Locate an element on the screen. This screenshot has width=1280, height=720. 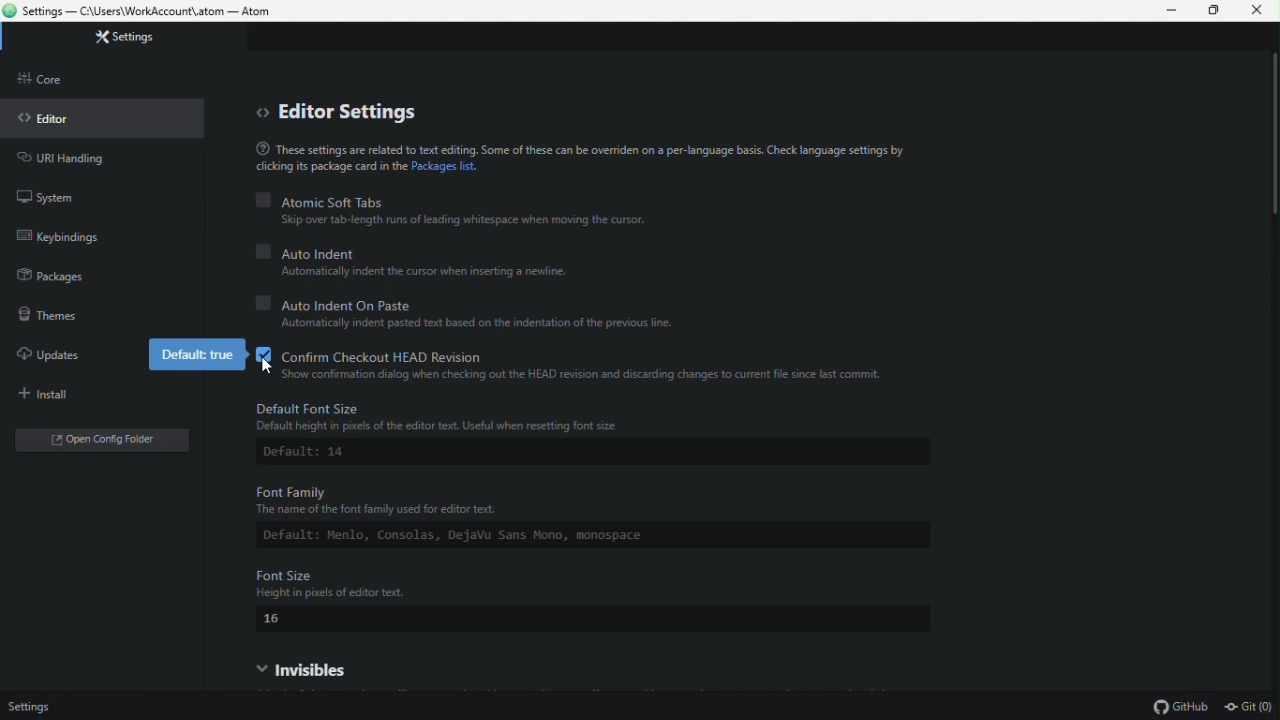
Key binding is located at coordinates (69, 238).